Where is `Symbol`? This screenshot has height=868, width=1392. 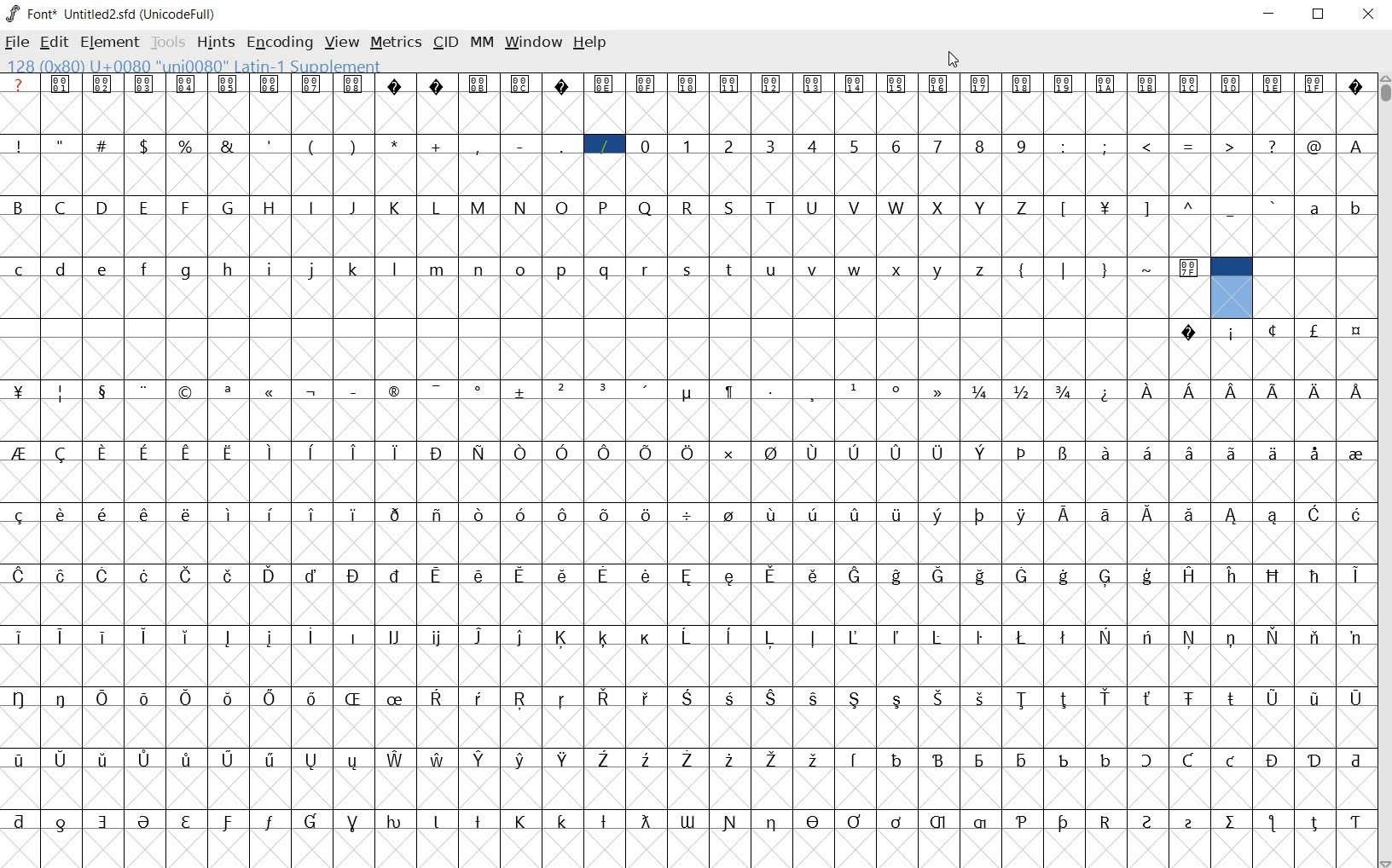
Symbol is located at coordinates (1190, 451).